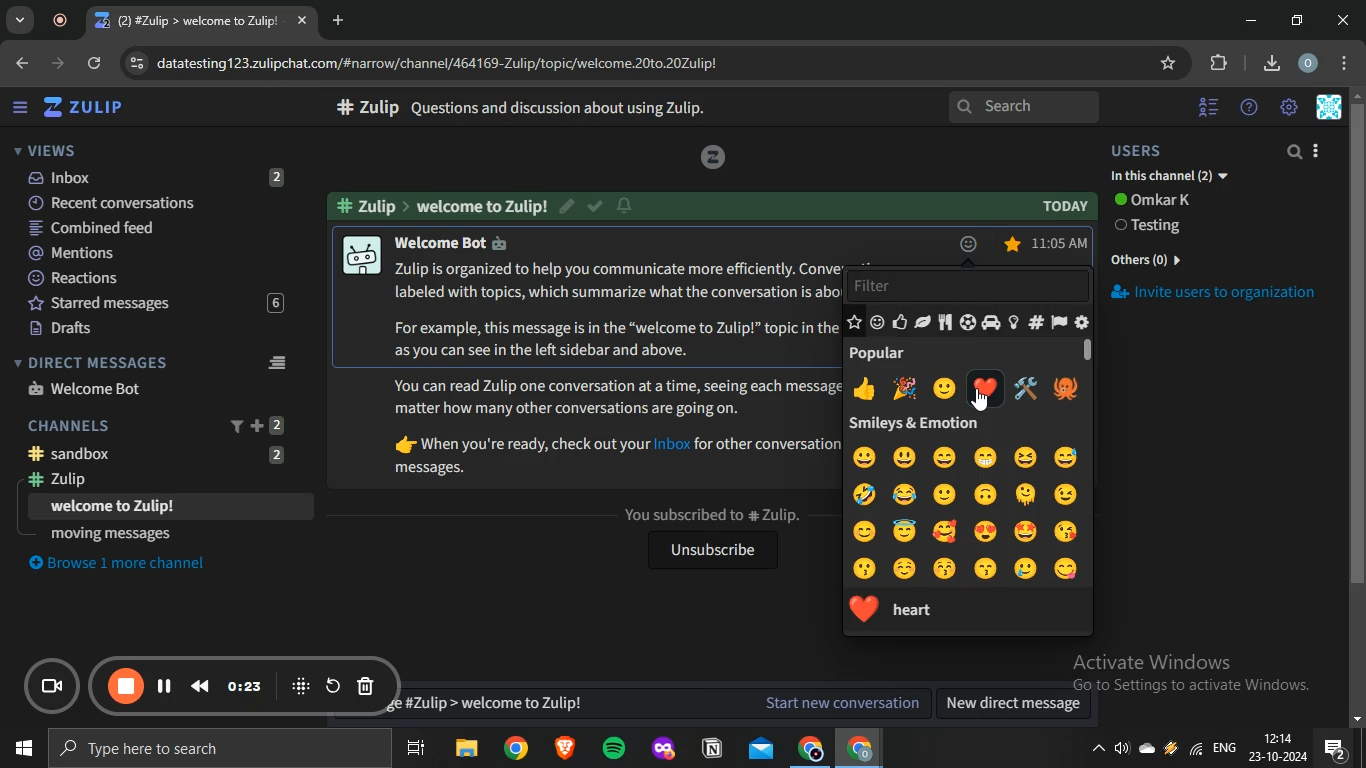 Image resolution: width=1366 pixels, height=768 pixels. Describe the element at coordinates (115, 507) in the screenshot. I see `welcome to zulip` at that location.